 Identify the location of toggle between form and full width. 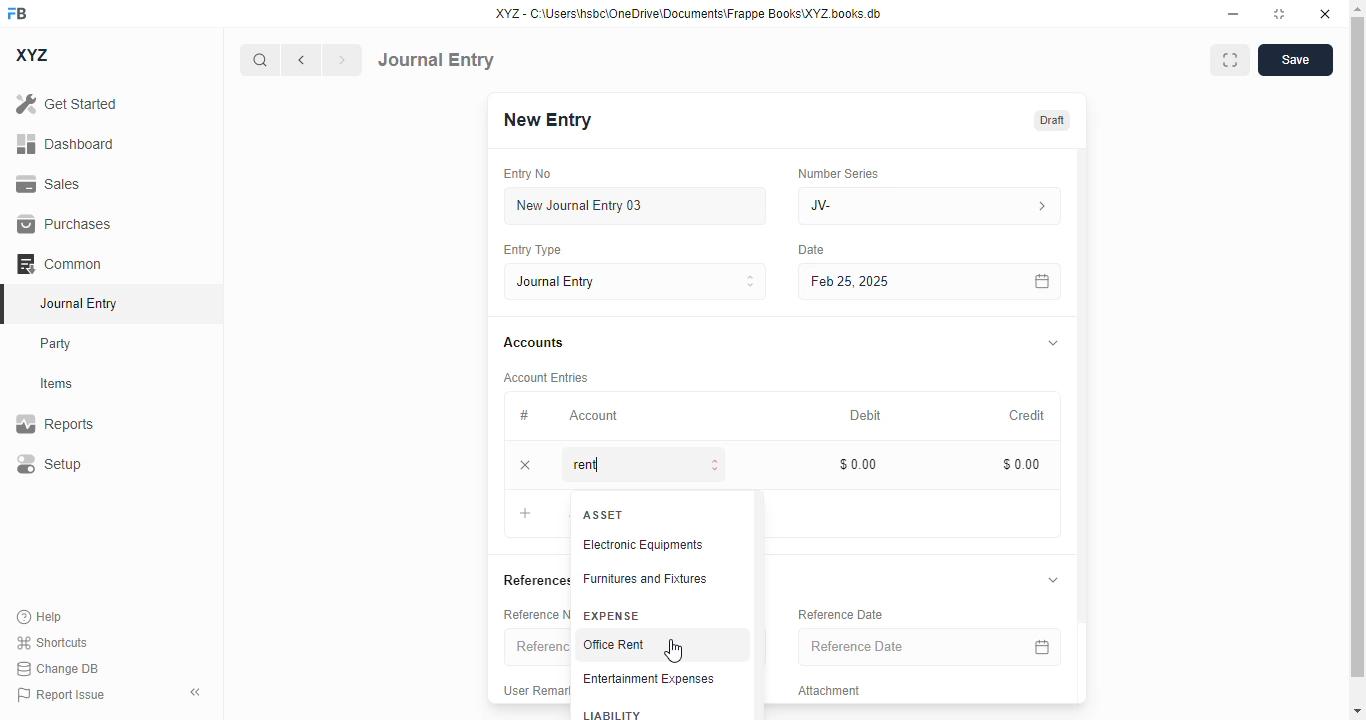
(1230, 60).